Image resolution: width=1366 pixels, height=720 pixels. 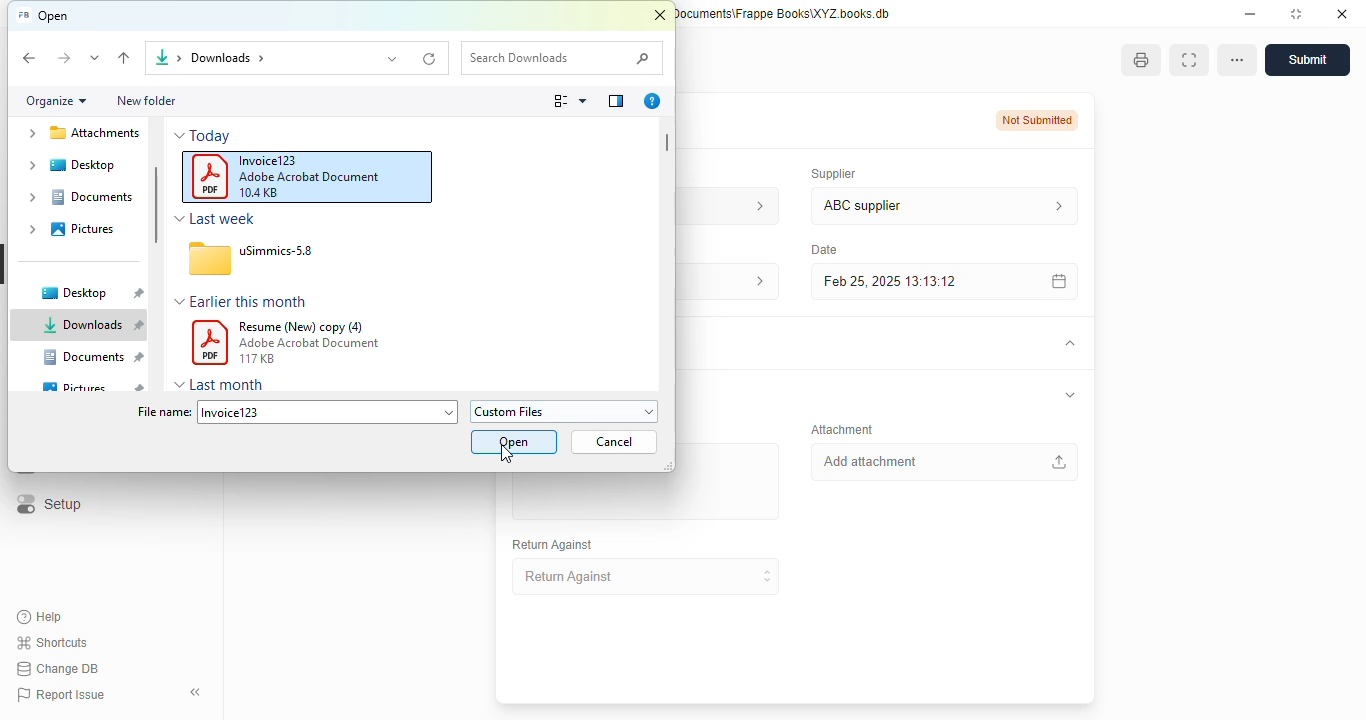 What do you see at coordinates (515, 442) in the screenshot?
I see `open` at bounding box center [515, 442].